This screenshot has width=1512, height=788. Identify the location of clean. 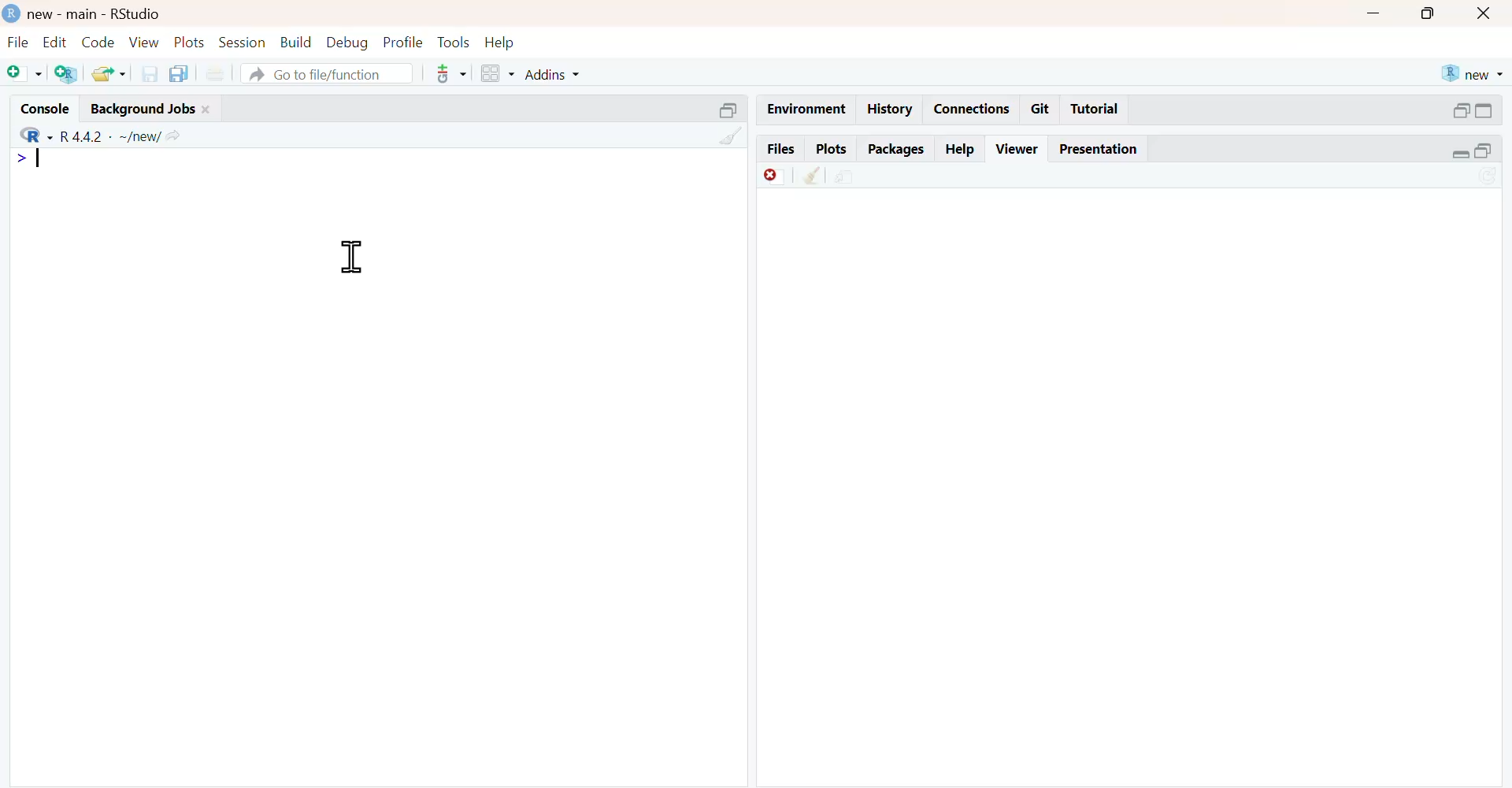
(812, 176).